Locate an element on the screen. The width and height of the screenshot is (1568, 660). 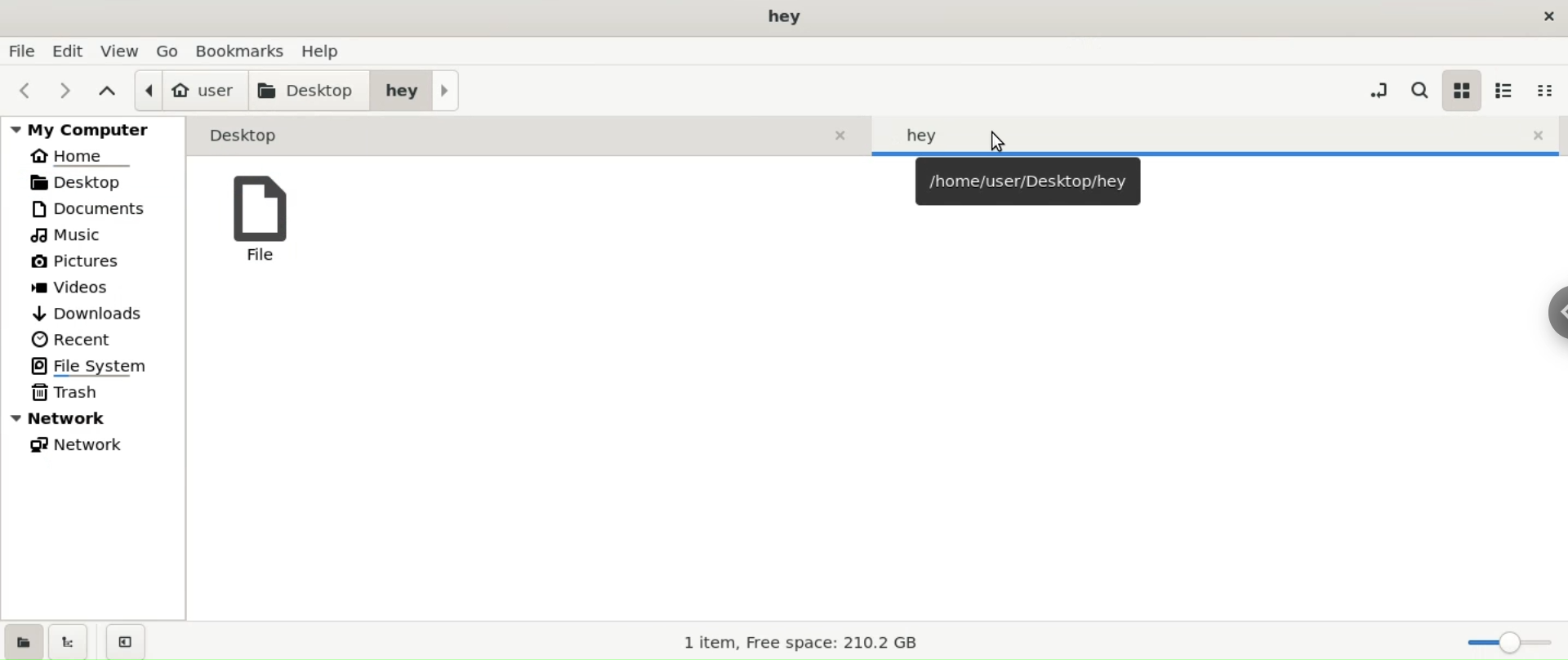
my computer is located at coordinates (92, 129).